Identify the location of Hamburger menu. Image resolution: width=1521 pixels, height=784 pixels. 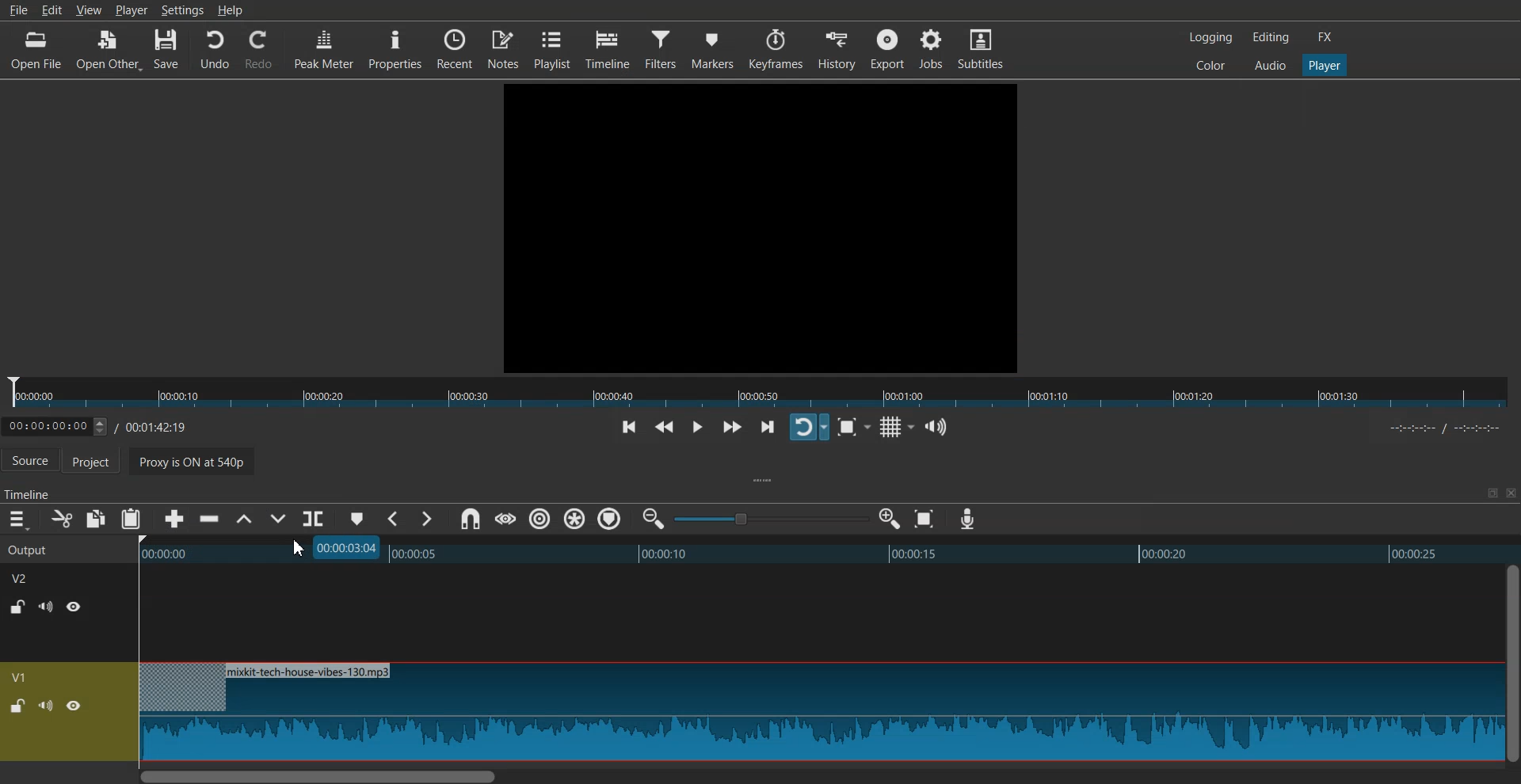
(17, 519).